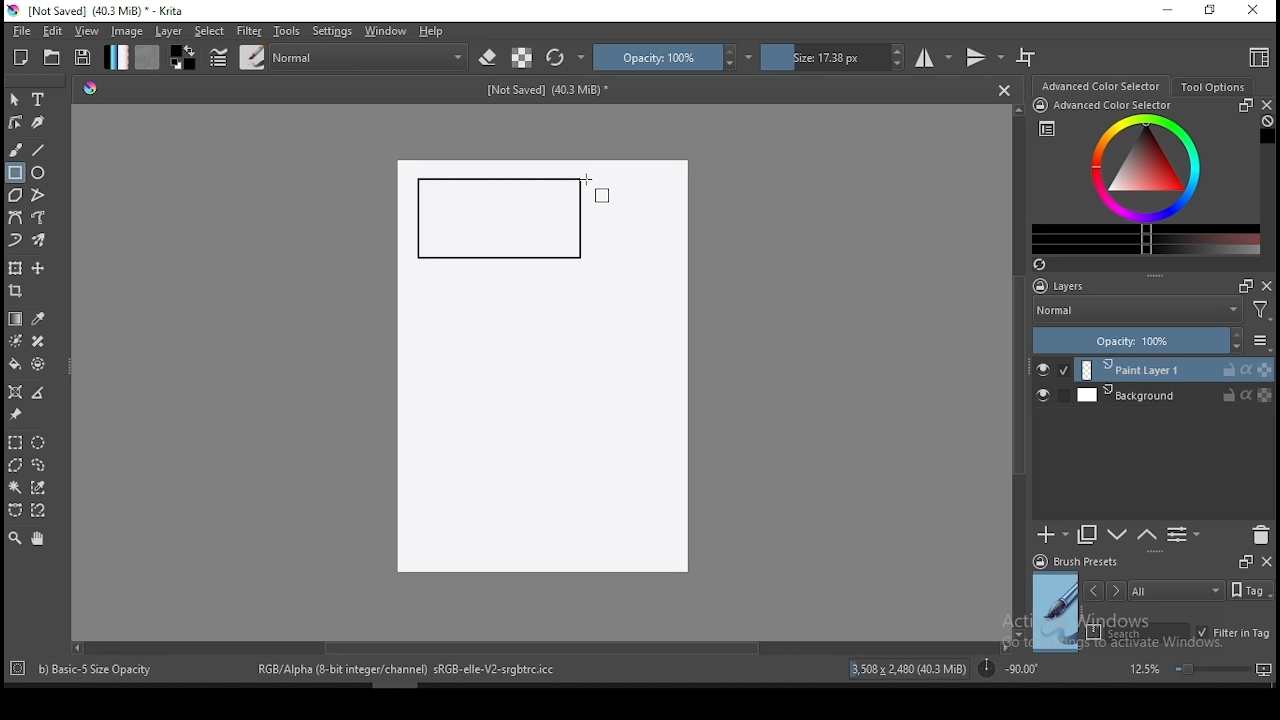  What do you see at coordinates (1255, 11) in the screenshot?
I see ` close window` at bounding box center [1255, 11].